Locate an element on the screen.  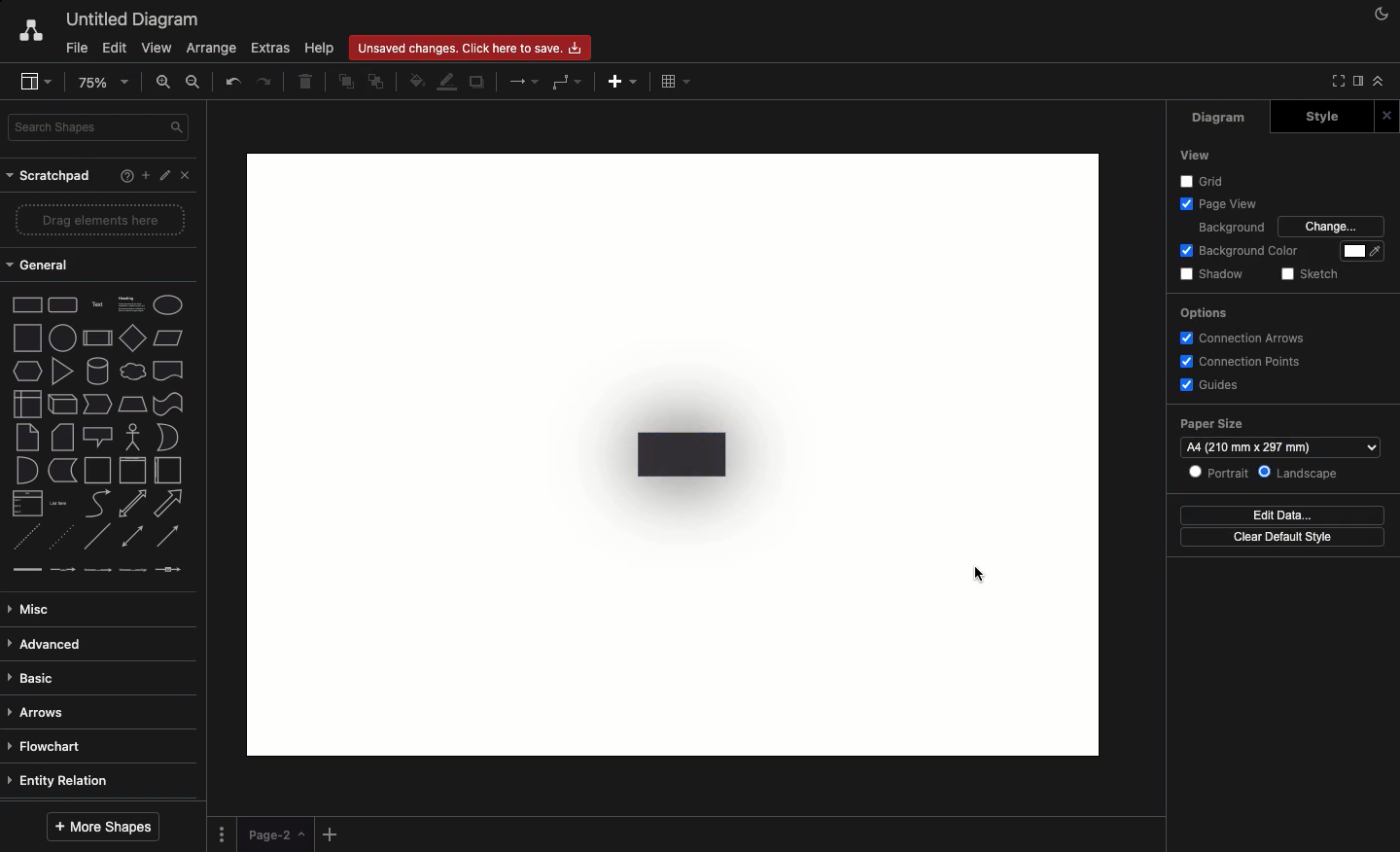
Arrows is located at coordinates (519, 81).